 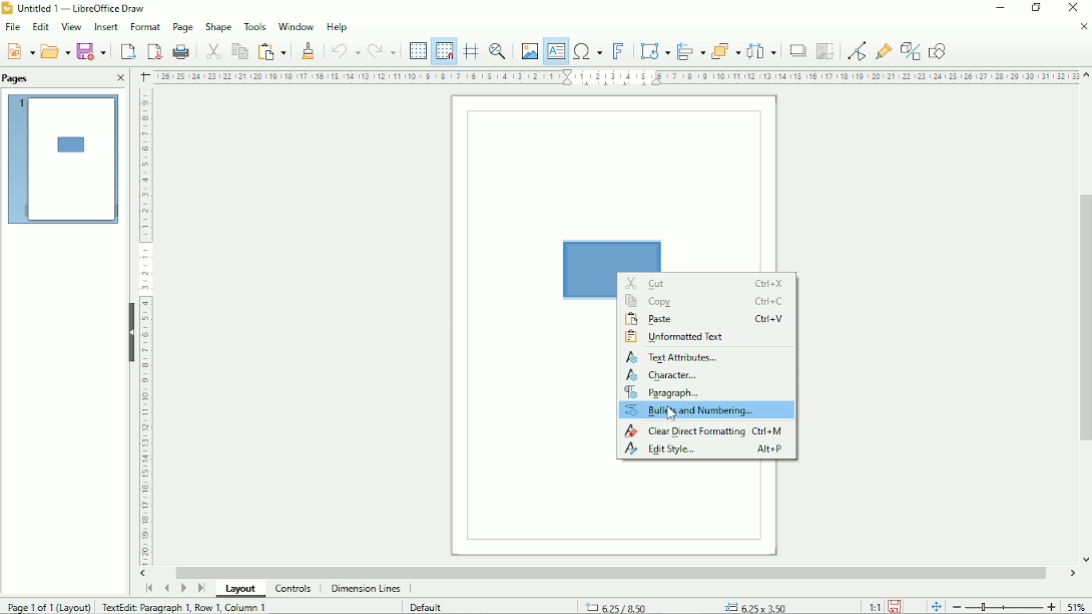 I want to click on Window, so click(x=296, y=26).